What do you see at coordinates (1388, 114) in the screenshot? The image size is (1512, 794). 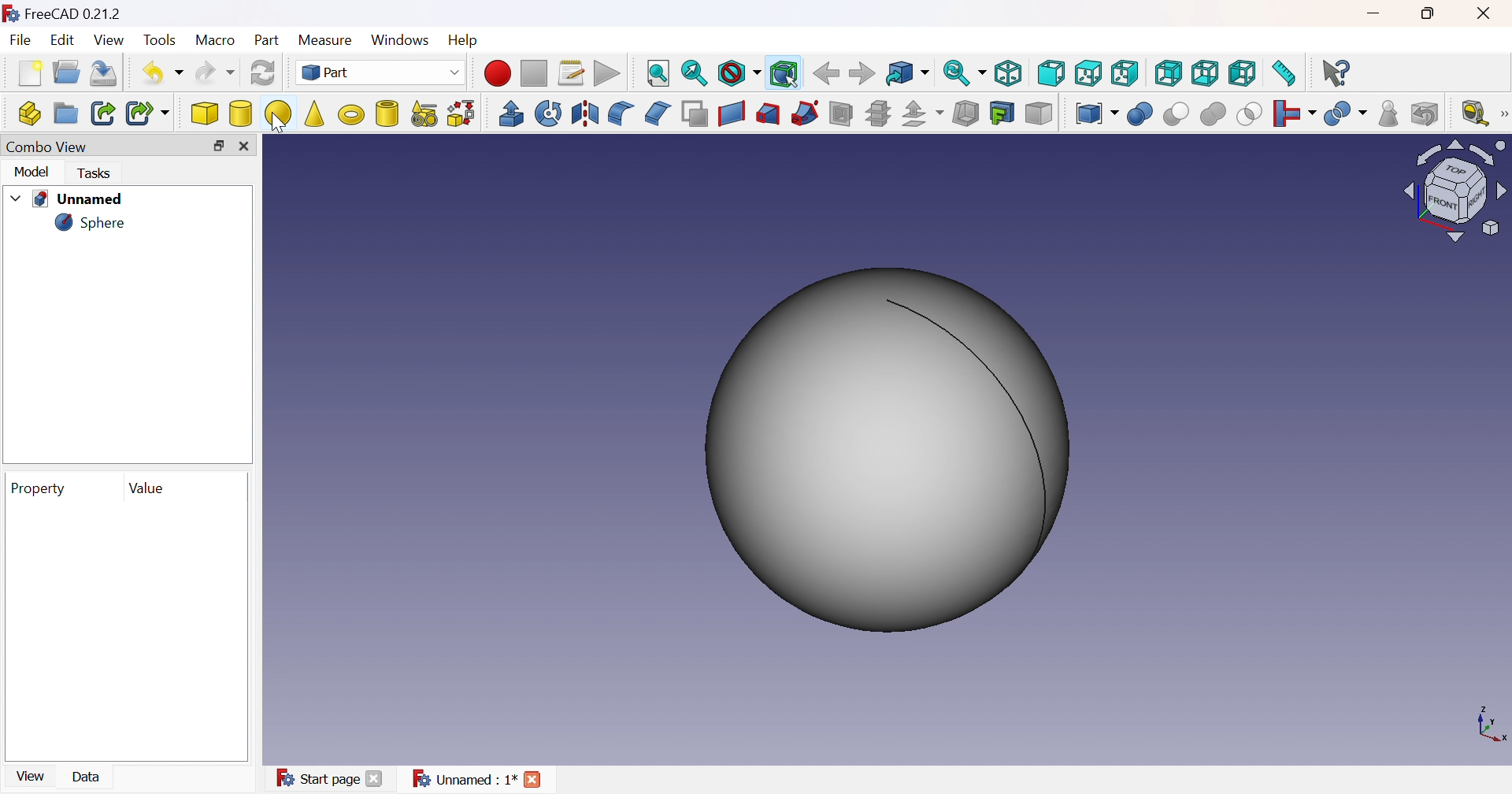 I see `Check geometry` at bounding box center [1388, 114].